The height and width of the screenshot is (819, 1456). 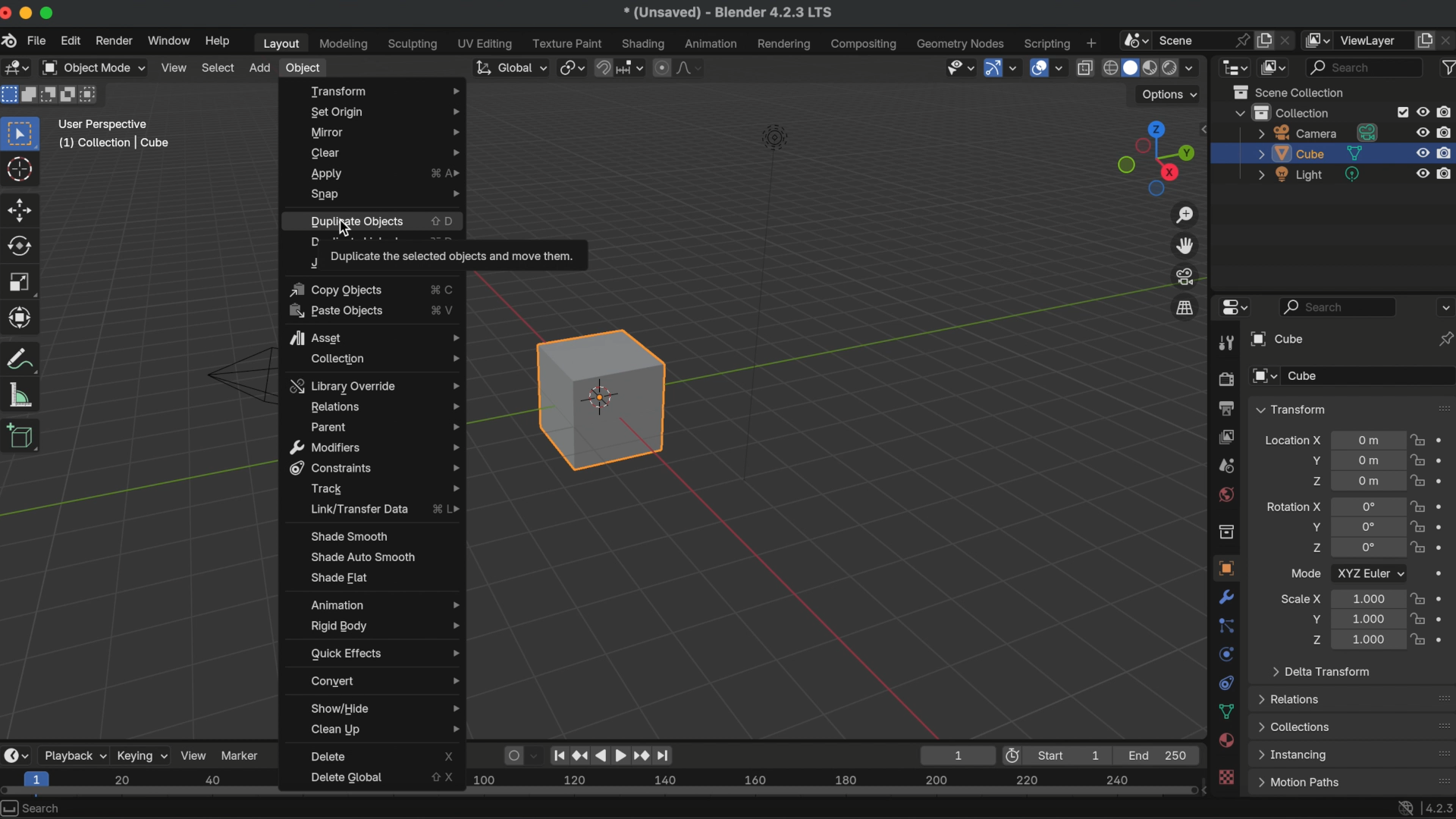 I want to click on Scale location, so click(x=1367, y=598).